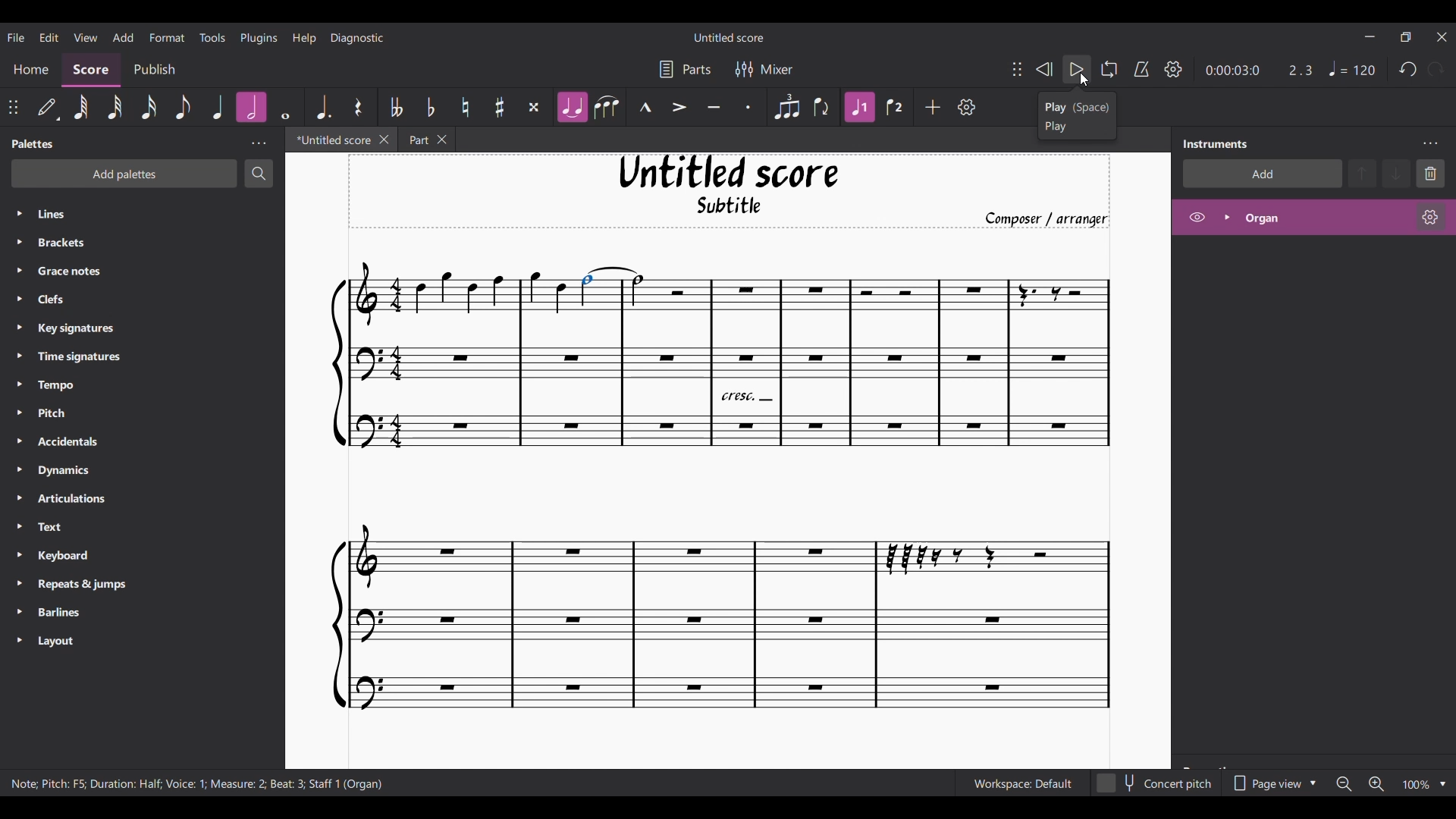 Image resolution: width=1456 pixels, height=819 pixels. I want to click on Move selection down, so click(1396, 173).